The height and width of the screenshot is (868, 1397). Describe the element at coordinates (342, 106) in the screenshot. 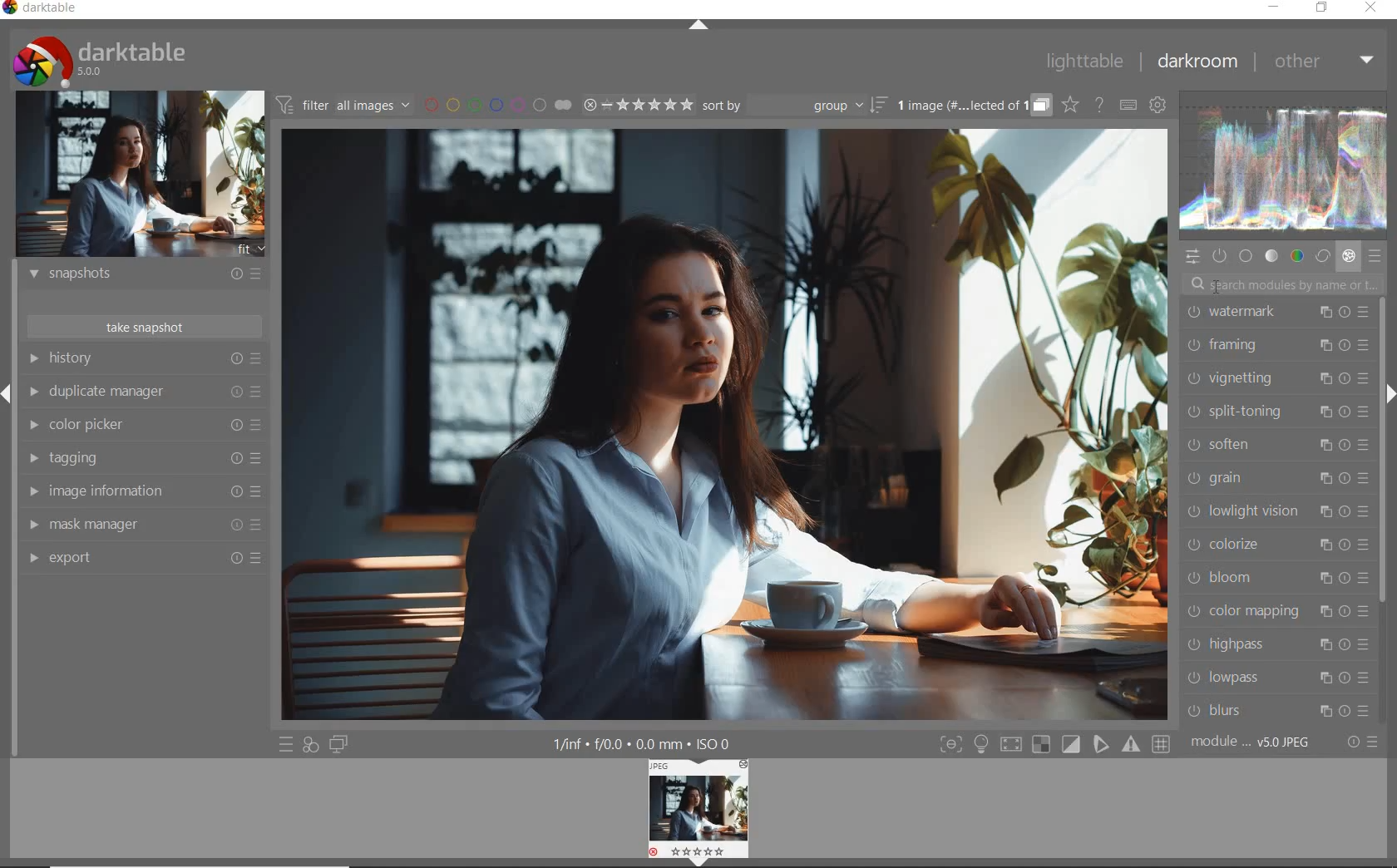

I see `filter all images by module order` at that location.